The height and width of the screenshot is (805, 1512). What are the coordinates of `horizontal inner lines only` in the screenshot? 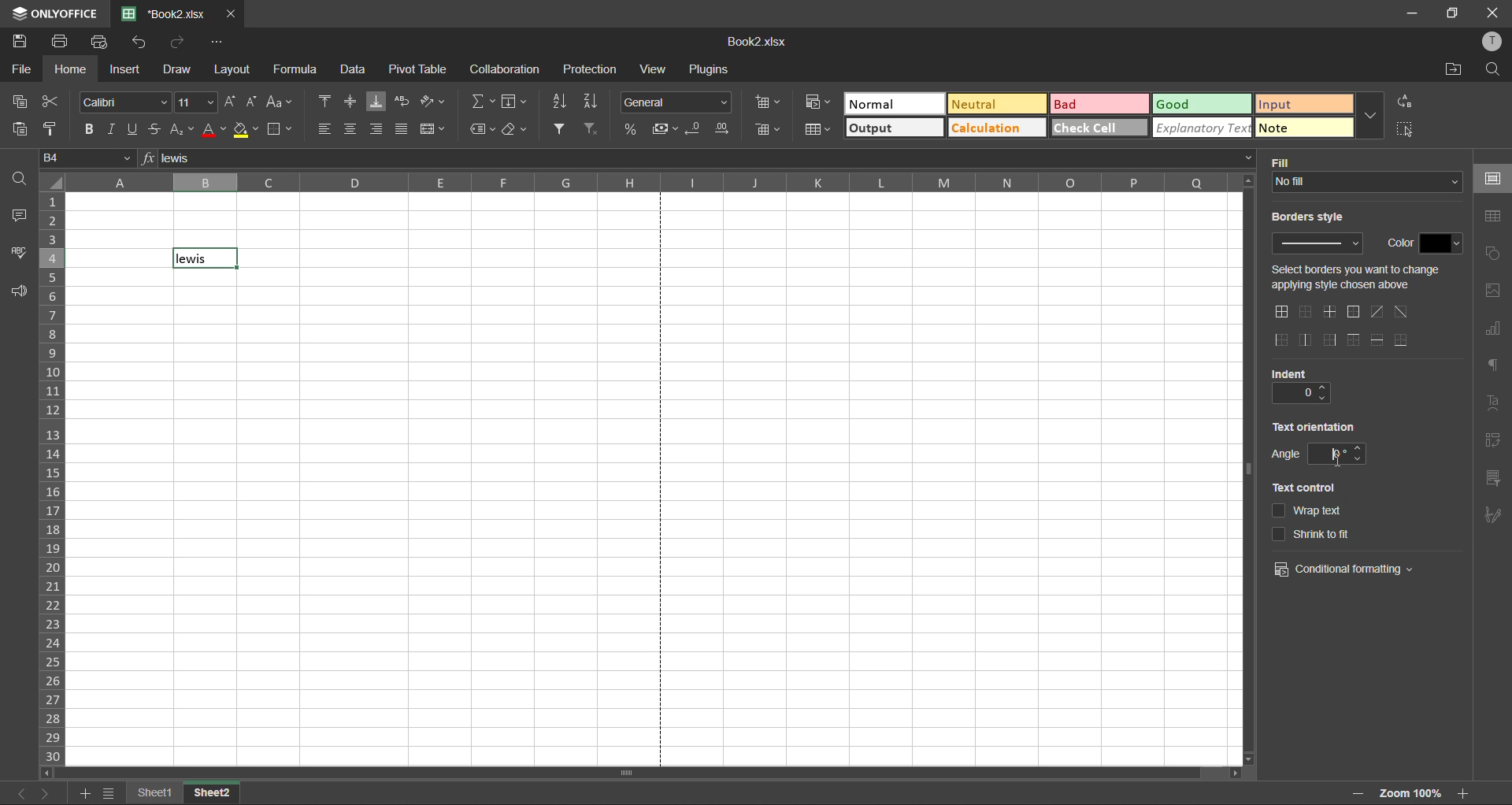 It's located at (1380, 339).